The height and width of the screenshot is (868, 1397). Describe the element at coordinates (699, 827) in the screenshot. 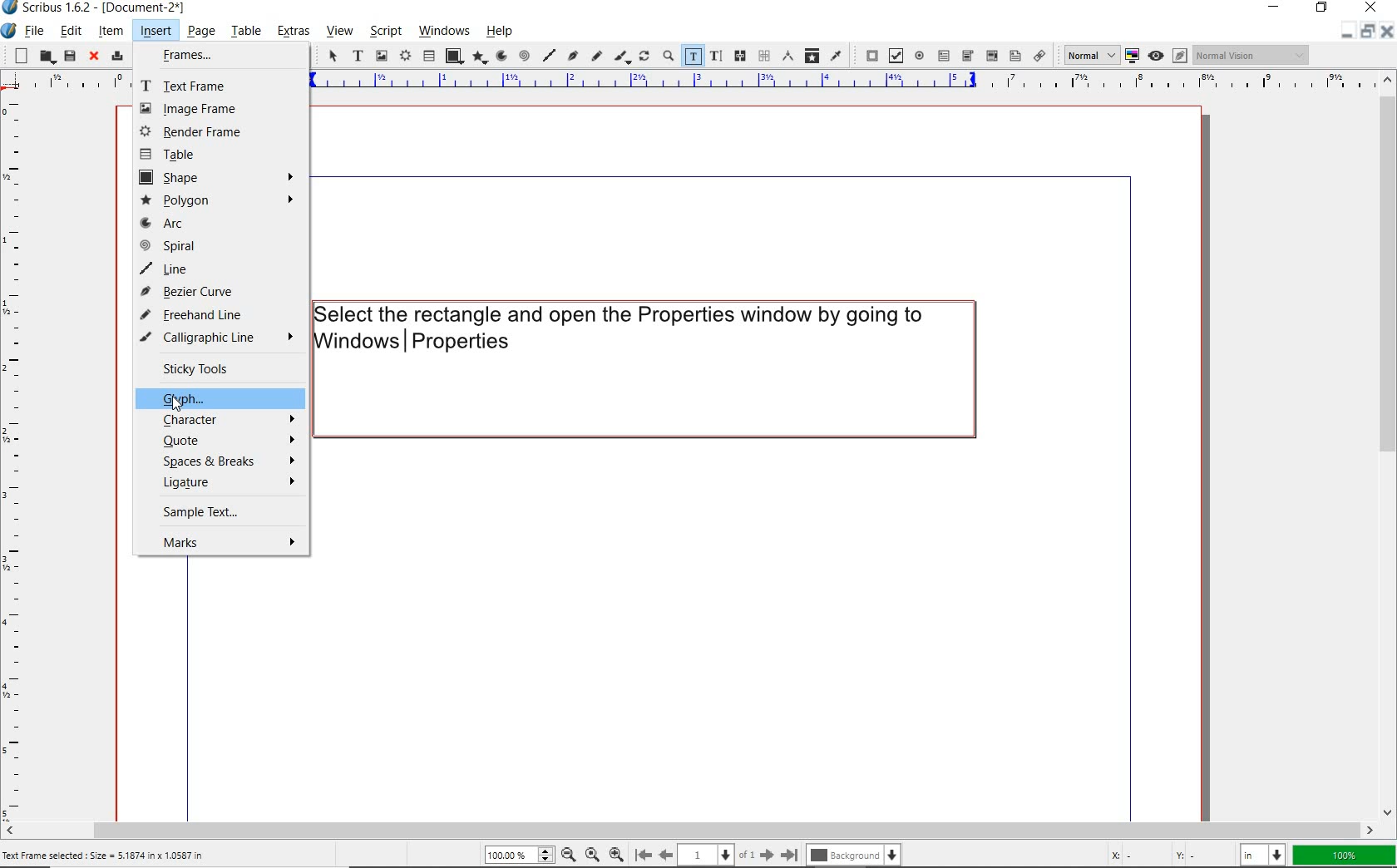

I see `Scroll Bar` at that location.